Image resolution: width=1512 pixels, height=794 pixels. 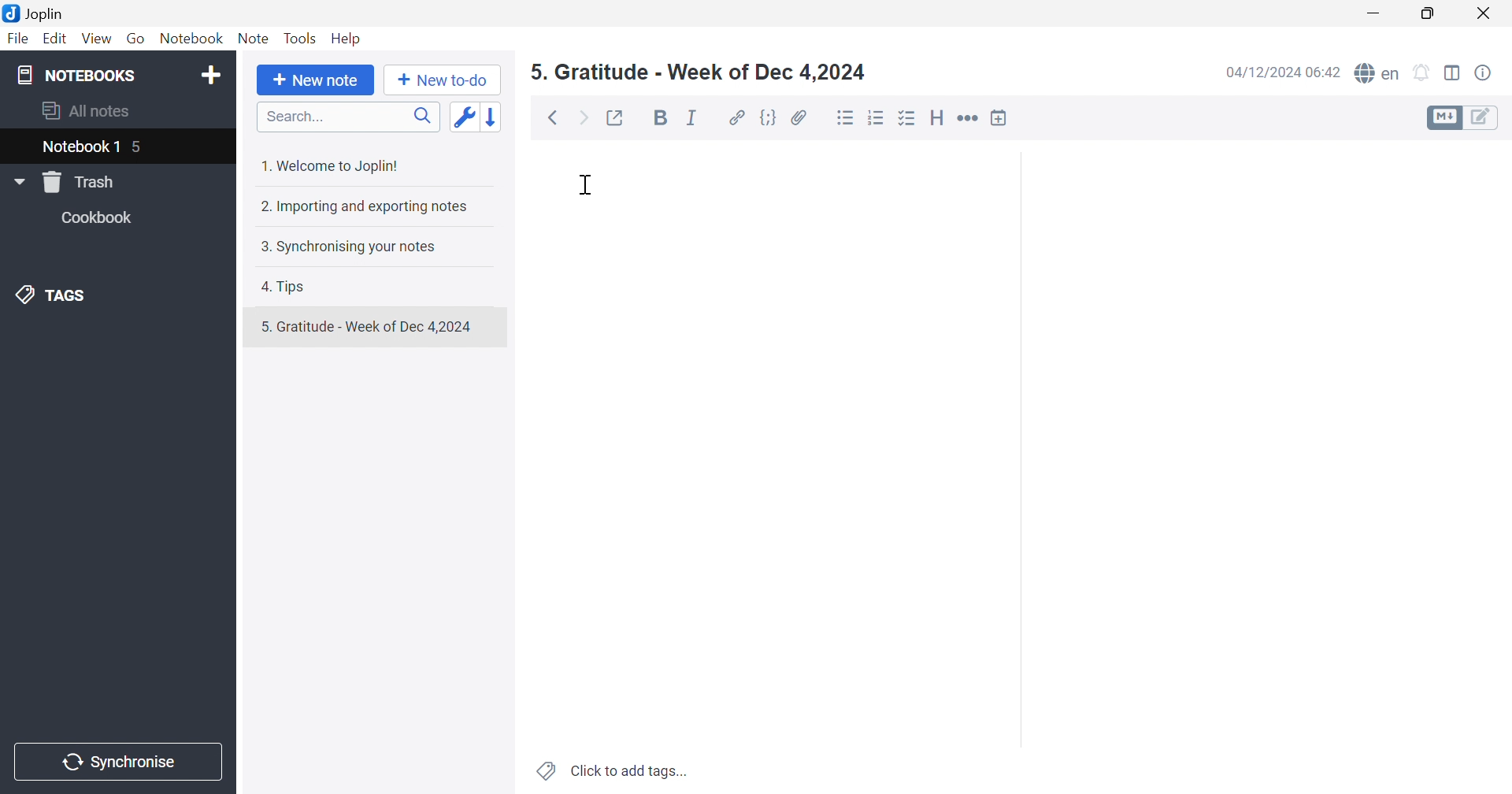 What do you see at coordinates (39, 15) in the screenshot?
I see `Joplin` at bounding box center [39, 15].